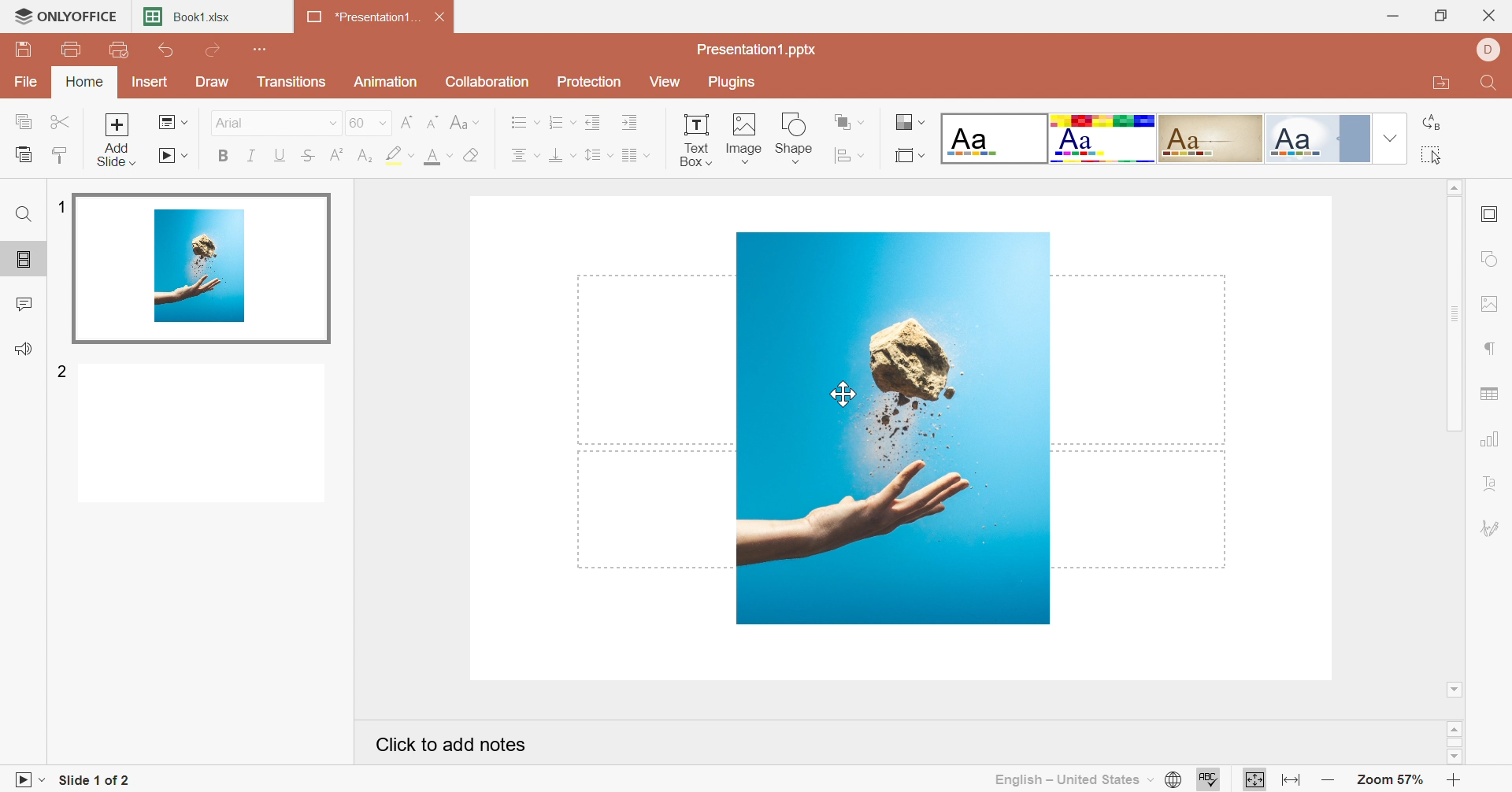 Image resolution: width=1512 pixels, height=792 pixels. I want to click on Zoom 57%, so click(1389, 780).